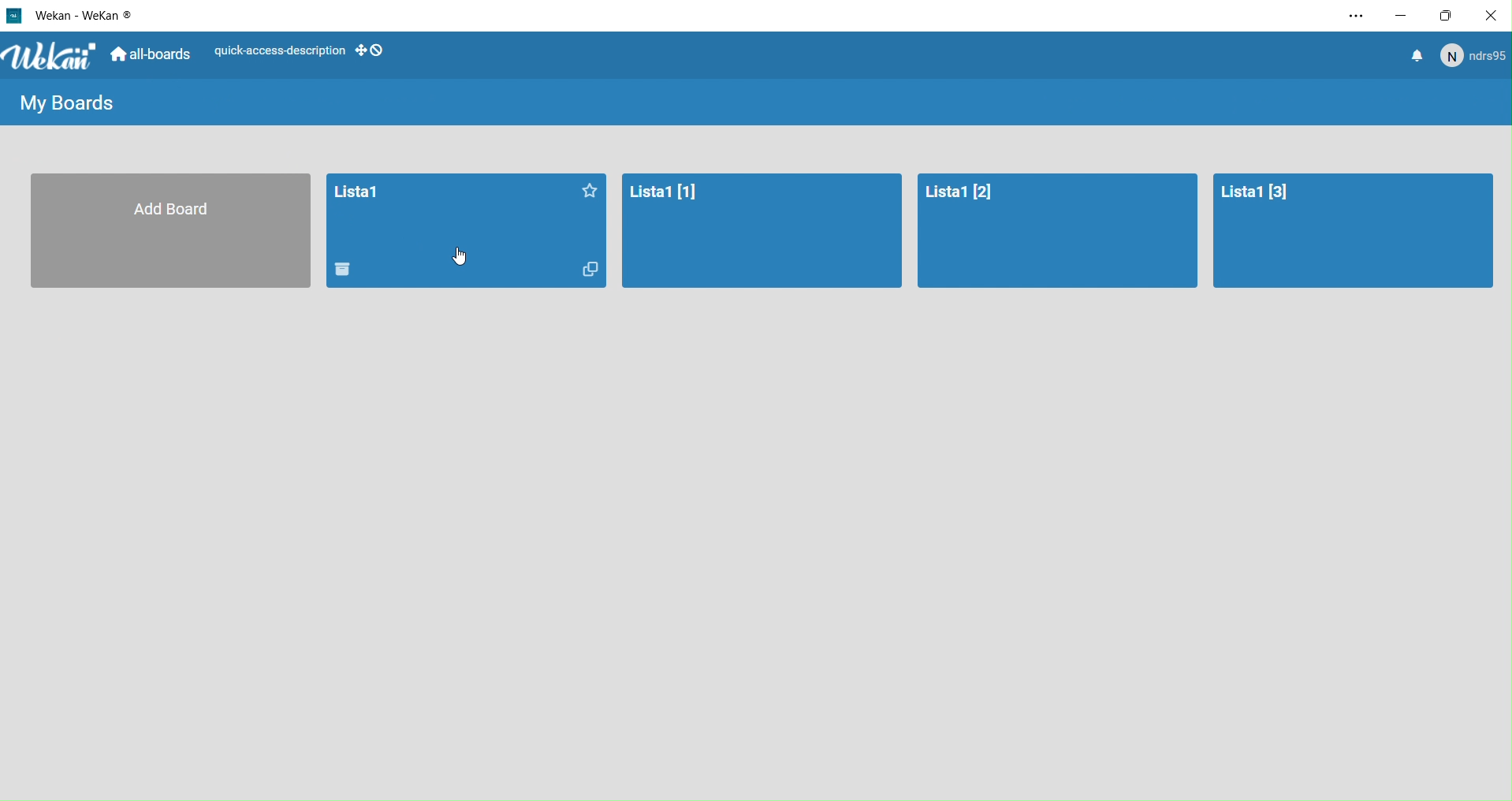 The width and height of the screenshot is (1512, 801). Describe the element at coordinates (467, 230) in the screenshot. I see `Boards` at that location.